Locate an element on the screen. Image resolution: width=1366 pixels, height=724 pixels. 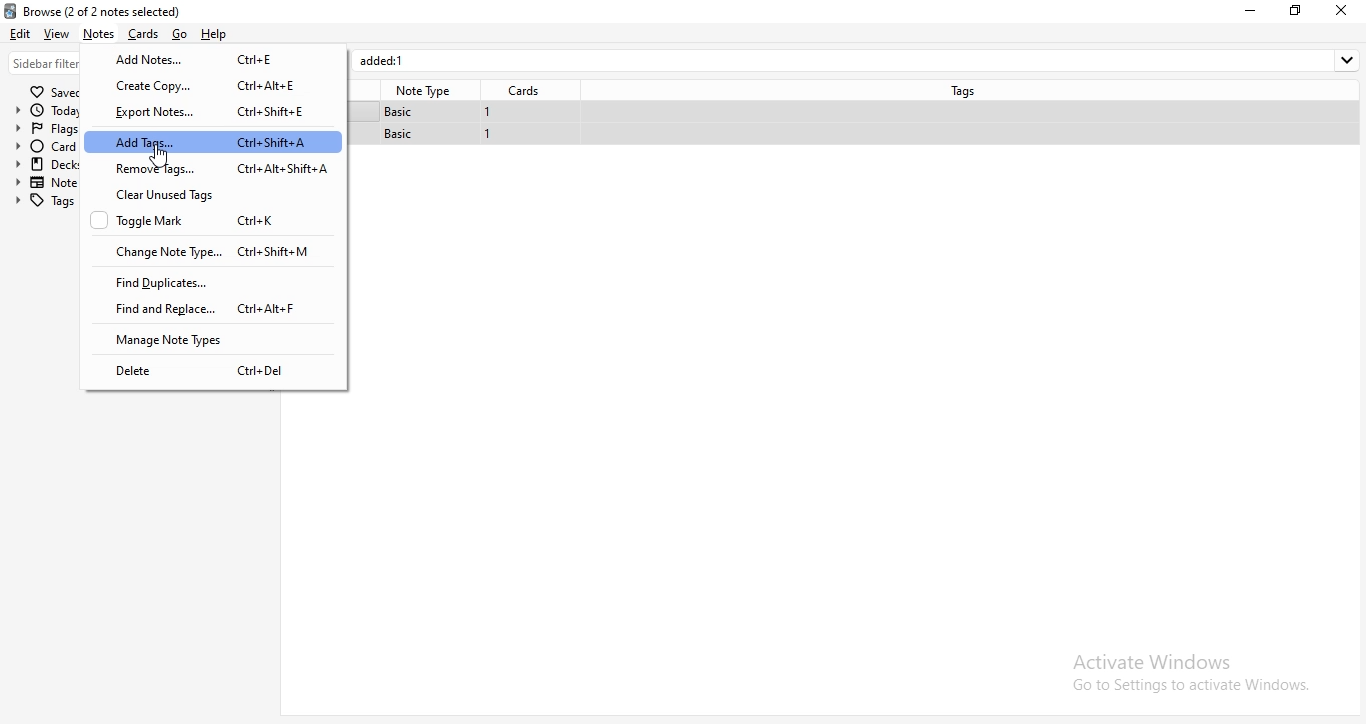
remove tags is located at coordinates (216, 167).